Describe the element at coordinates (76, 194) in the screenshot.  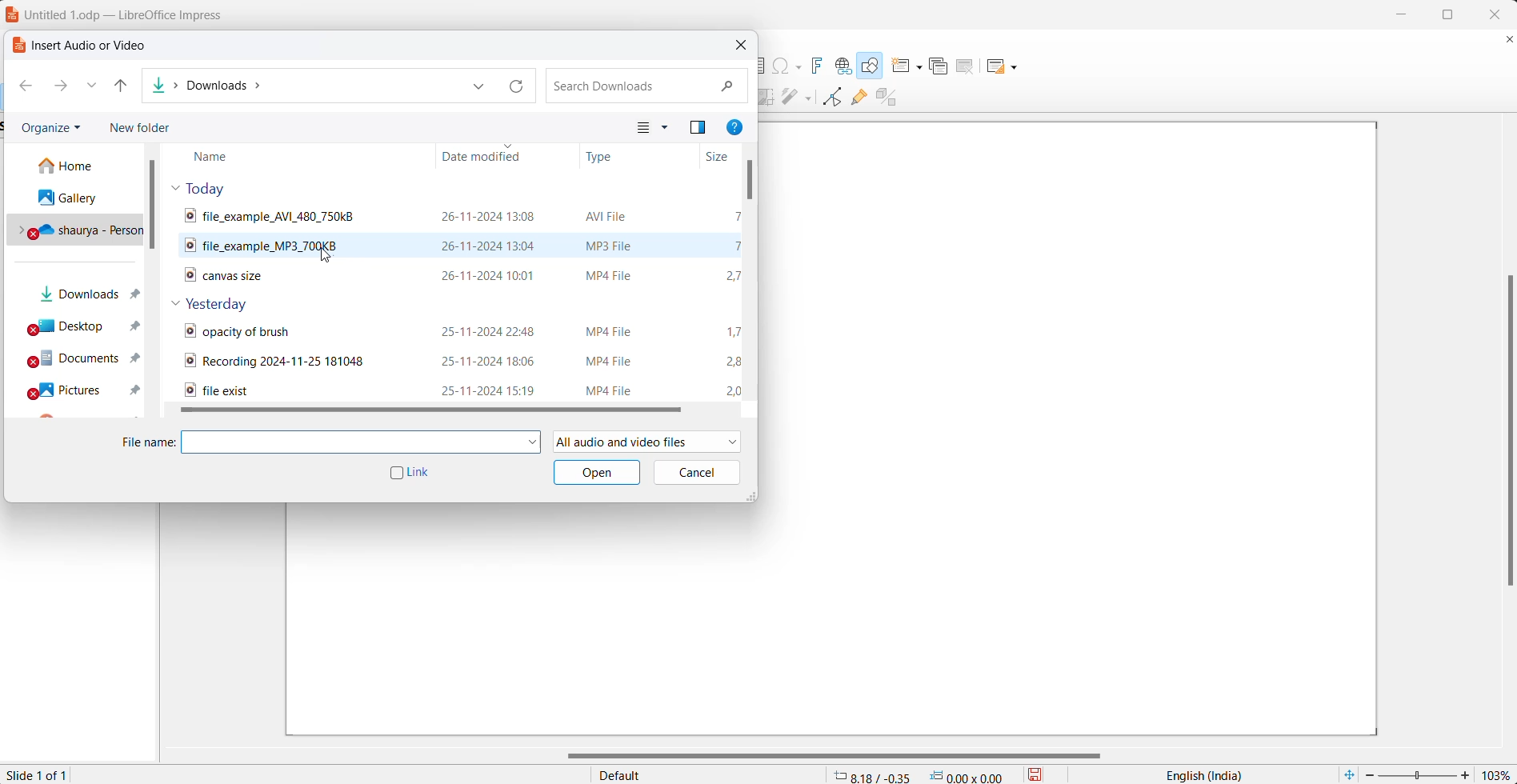
I see `gallery` at that location.